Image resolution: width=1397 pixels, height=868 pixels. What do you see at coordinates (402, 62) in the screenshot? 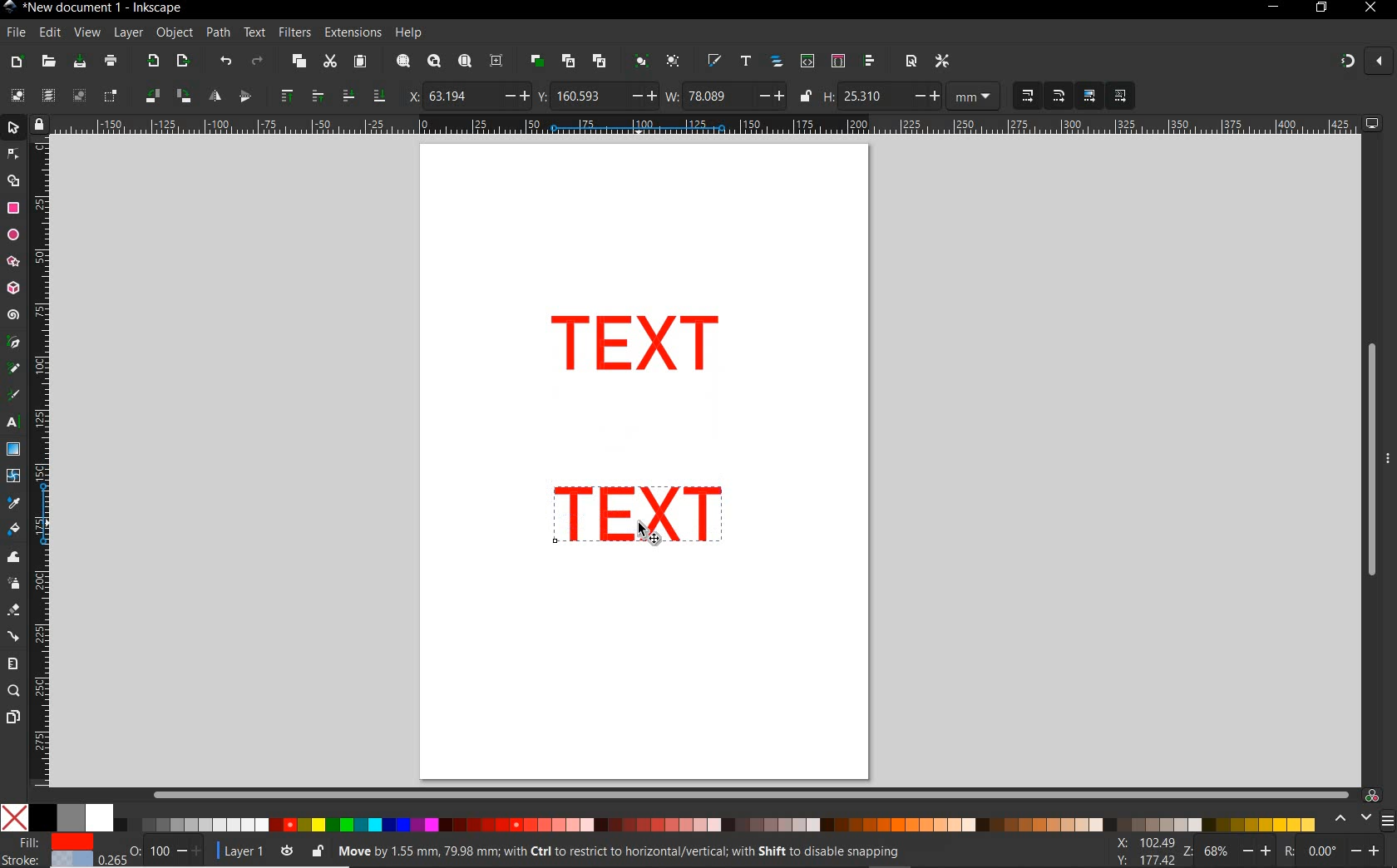
I see `zoom selection` at bounding box center [402, 62].